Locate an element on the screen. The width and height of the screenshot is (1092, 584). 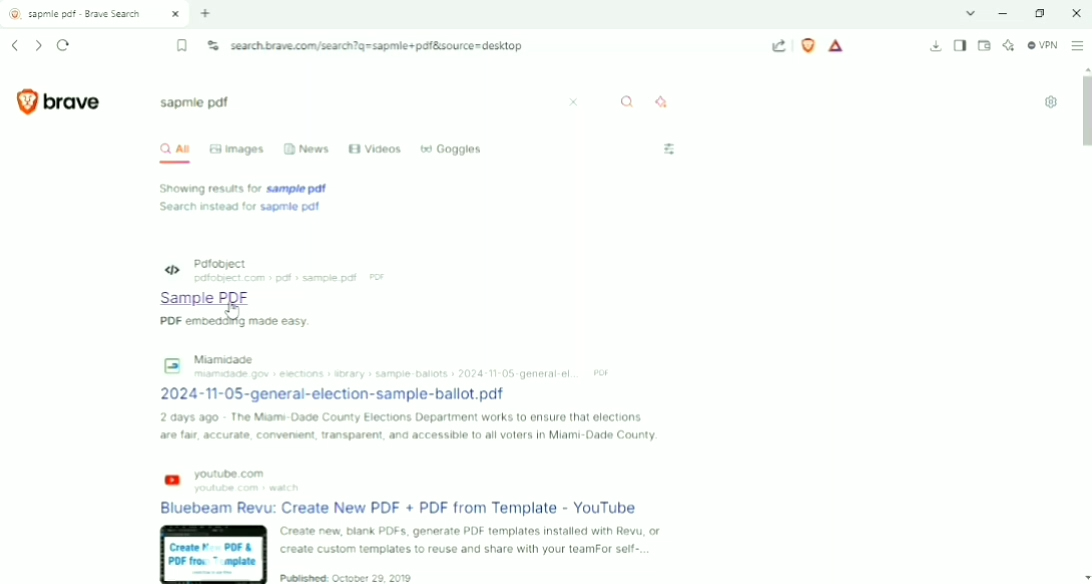
Cursor is located at coordinates (236, 310).